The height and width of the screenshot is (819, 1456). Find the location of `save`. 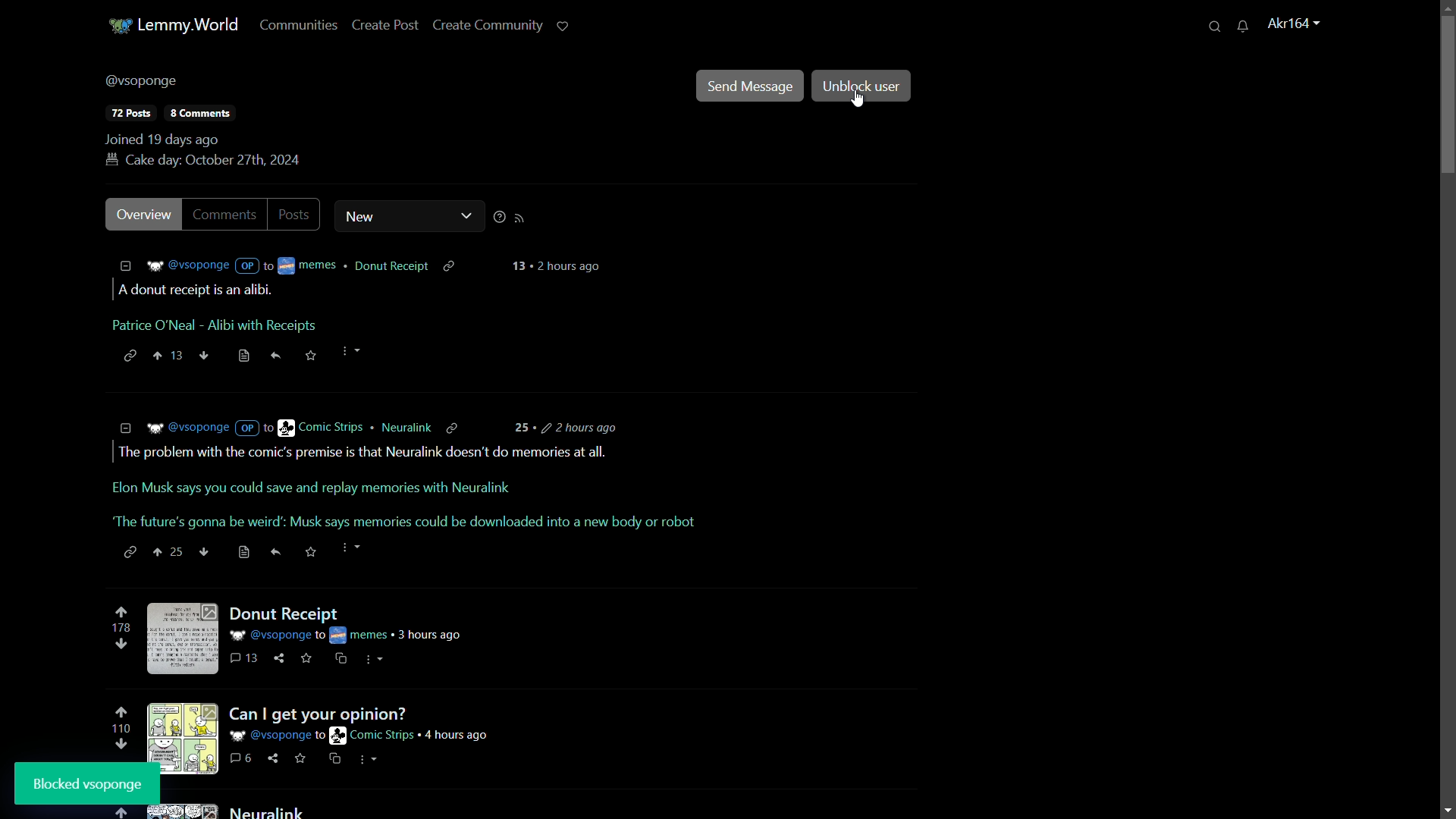

save is located at coordinates (336, 759).